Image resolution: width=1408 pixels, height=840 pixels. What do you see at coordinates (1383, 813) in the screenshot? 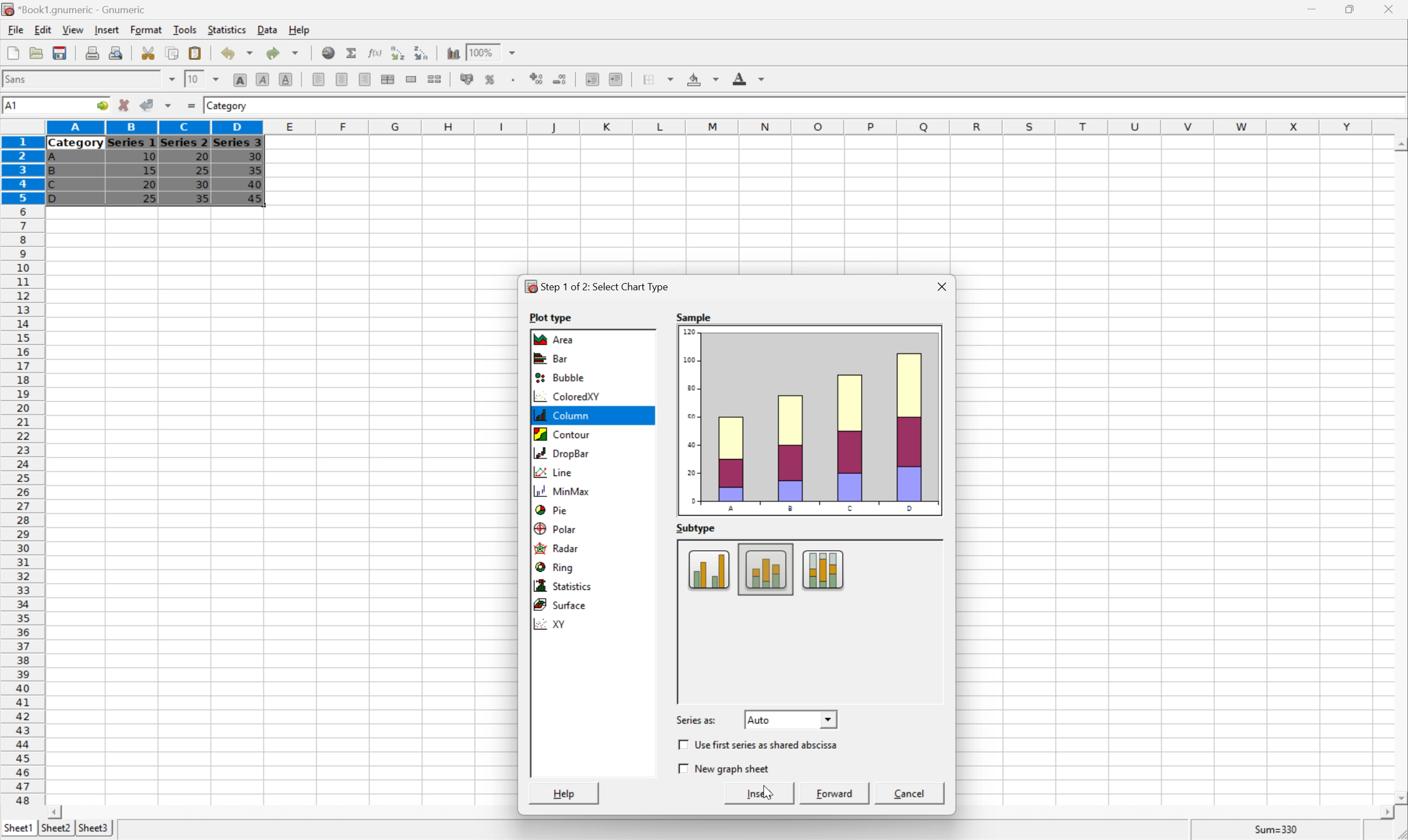
I see `Scroll Right` at bounding box center [1383, 813].